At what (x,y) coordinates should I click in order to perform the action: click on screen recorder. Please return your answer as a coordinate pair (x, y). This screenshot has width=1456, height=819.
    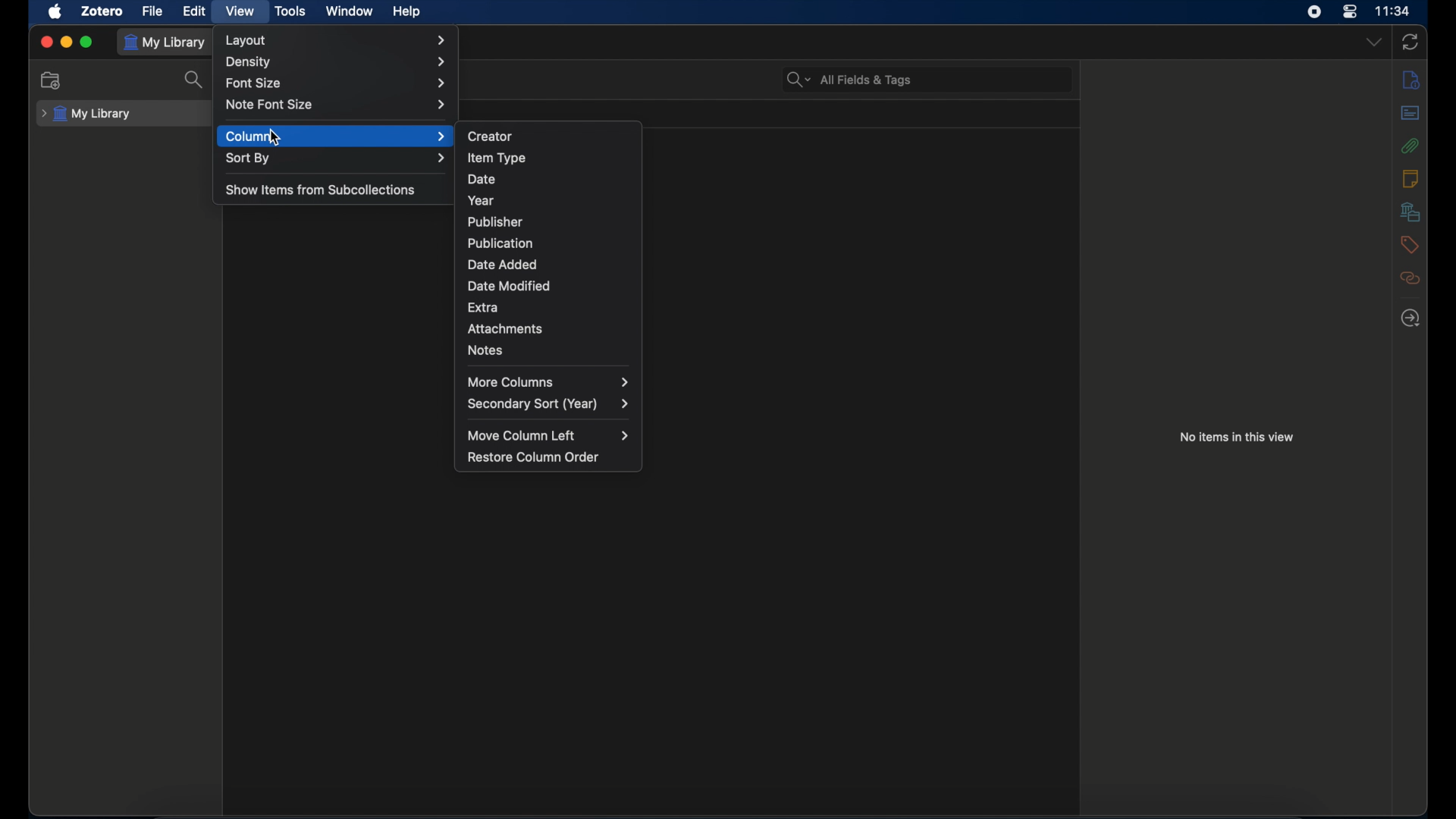
    Looking at the image, I should click on (1314, 12).